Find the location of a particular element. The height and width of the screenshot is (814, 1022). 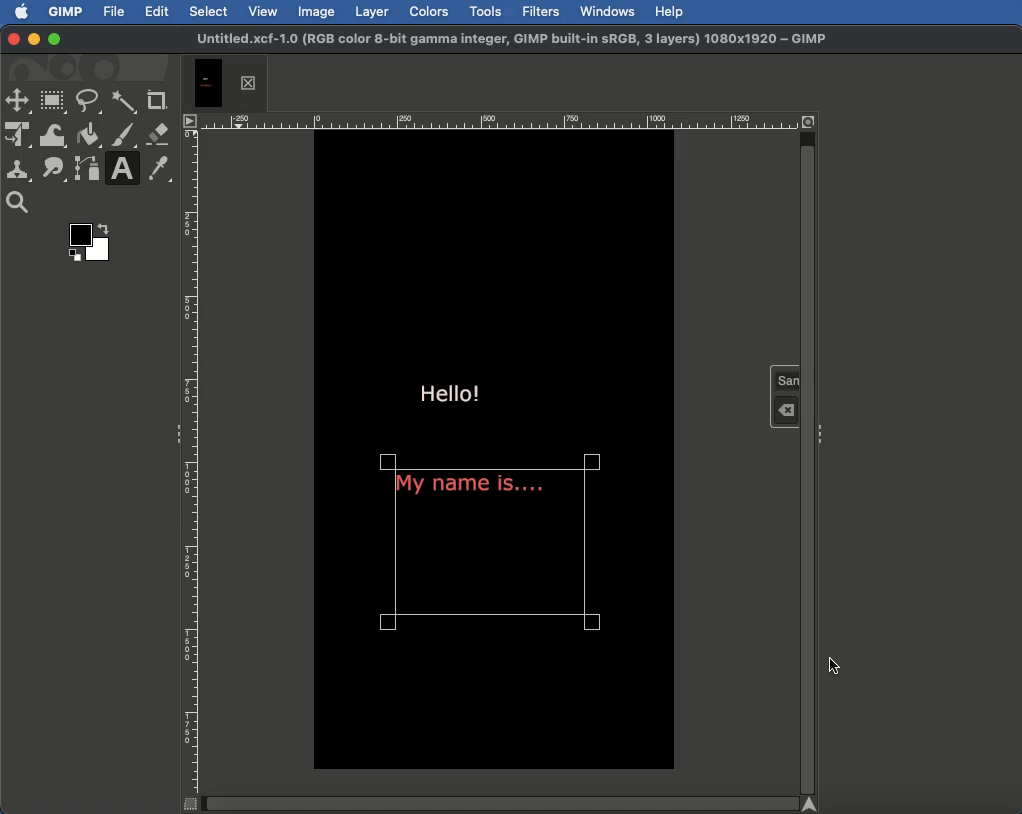

View is located at coordinates (265, 12).